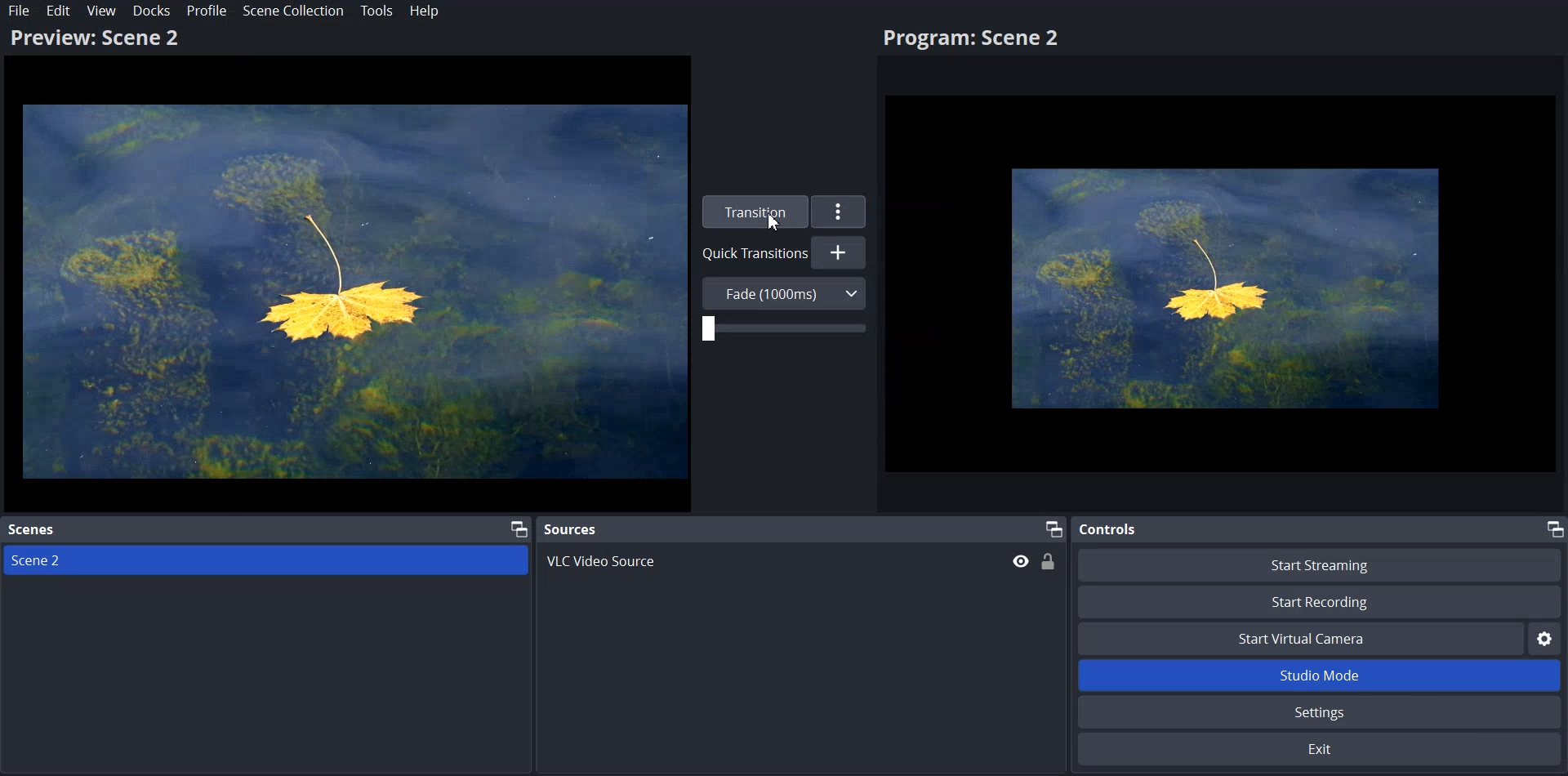 Image resolution: width=1568 pixels, height=776 pixels. I want to click on Program: Scene2, so click(978, 40).